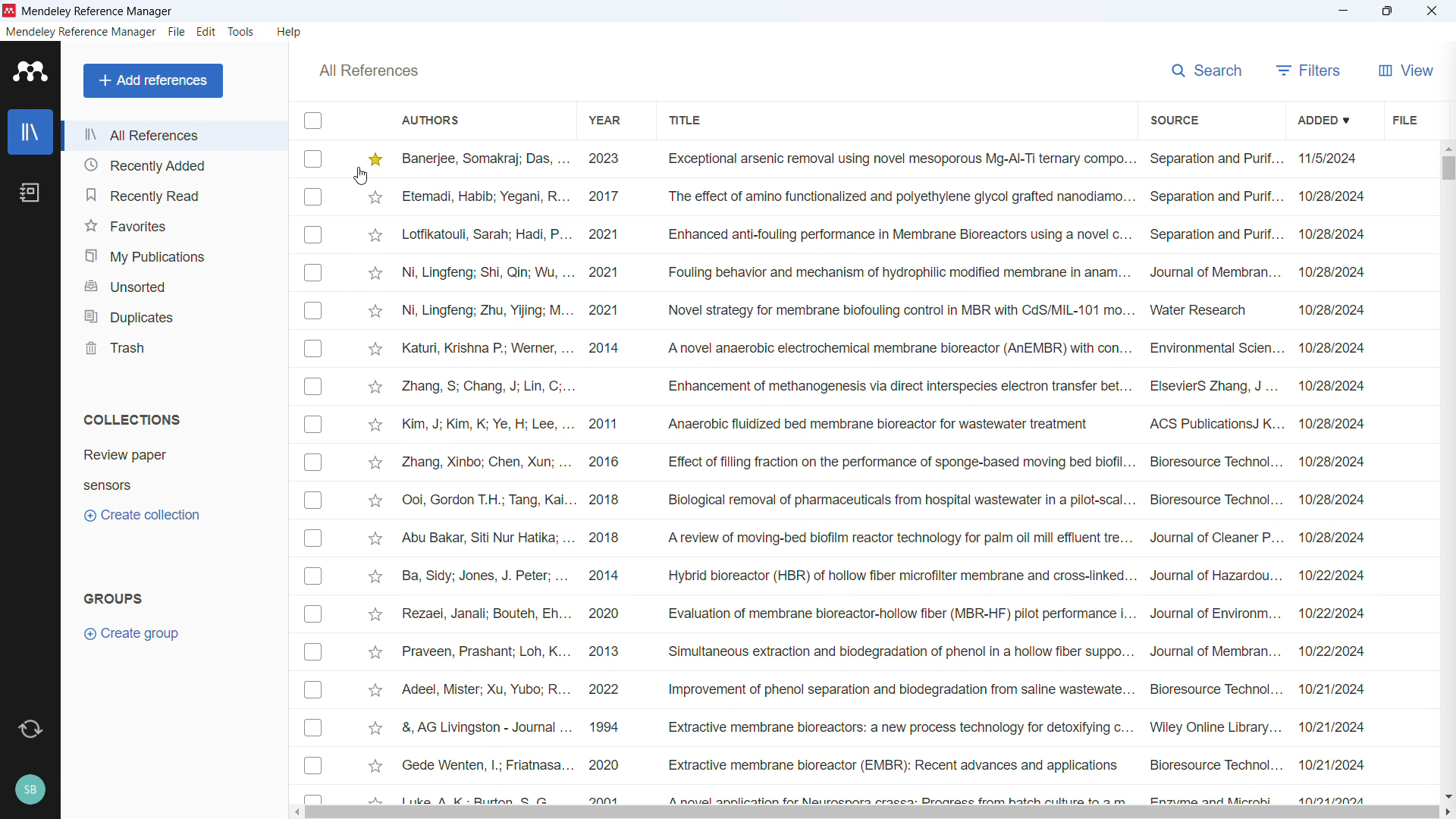 This screenshot has height=819, width=1456. Describe the element at coordinates (1447, 795) in the screenshot. I see `Scroll down ` at that location.